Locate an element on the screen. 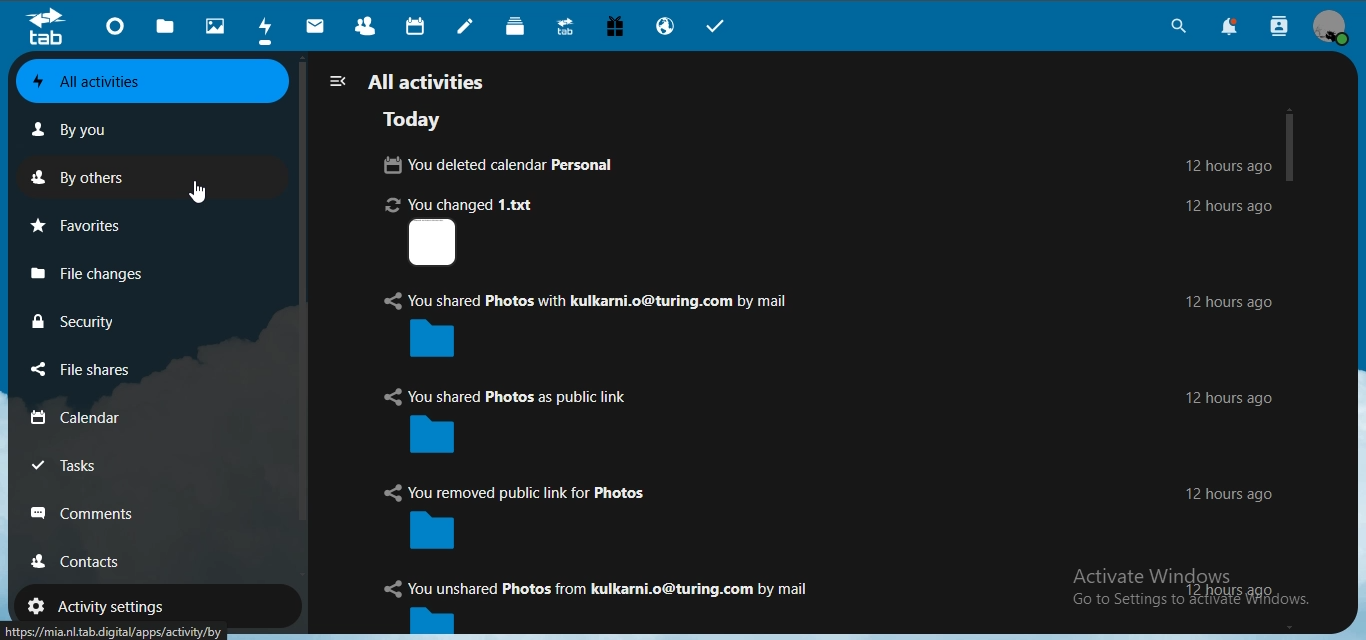  search is located at coordinates (1176, 26).